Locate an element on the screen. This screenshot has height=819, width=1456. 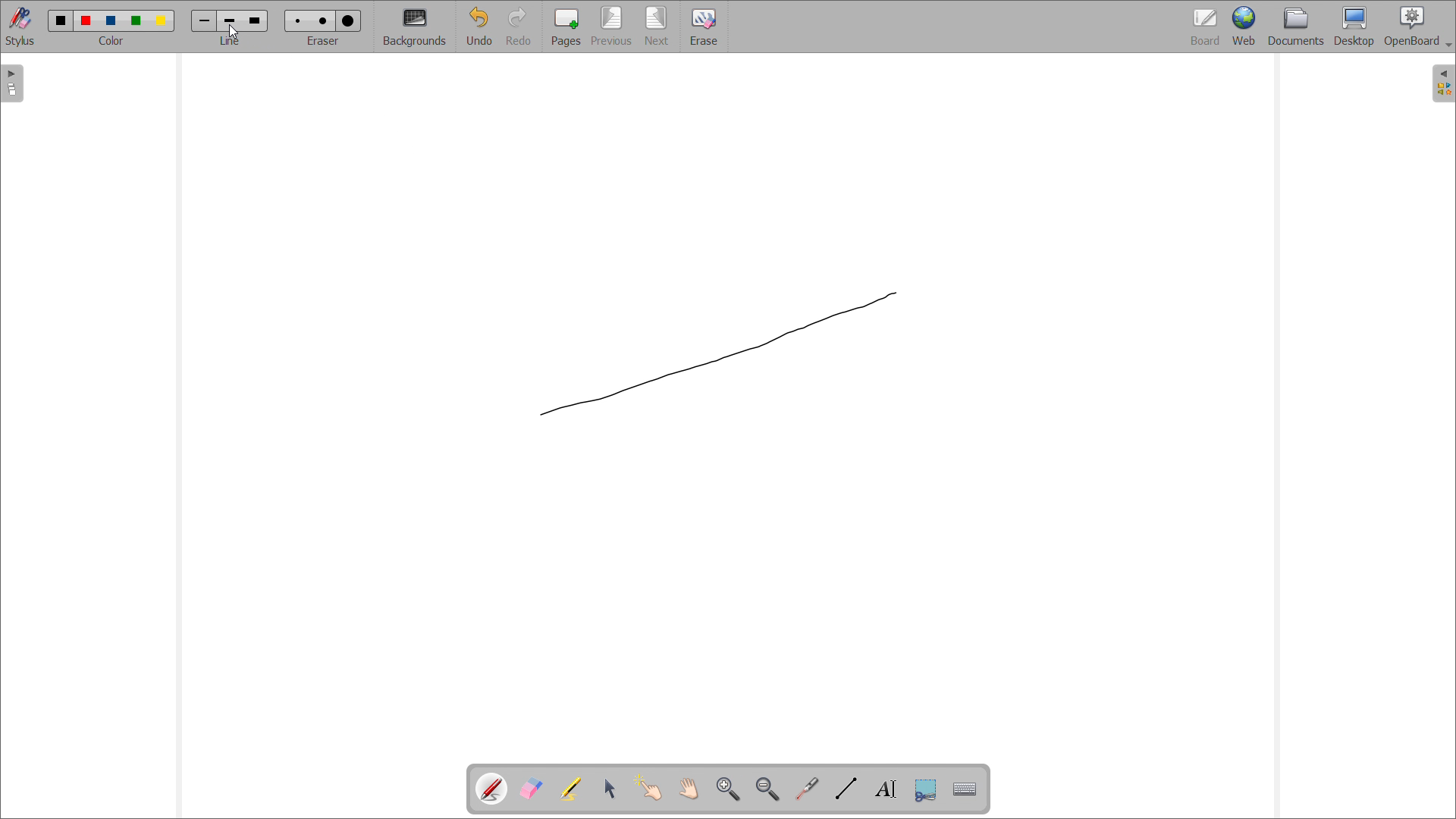
openboard settings is located at coordinates (1417, 27).